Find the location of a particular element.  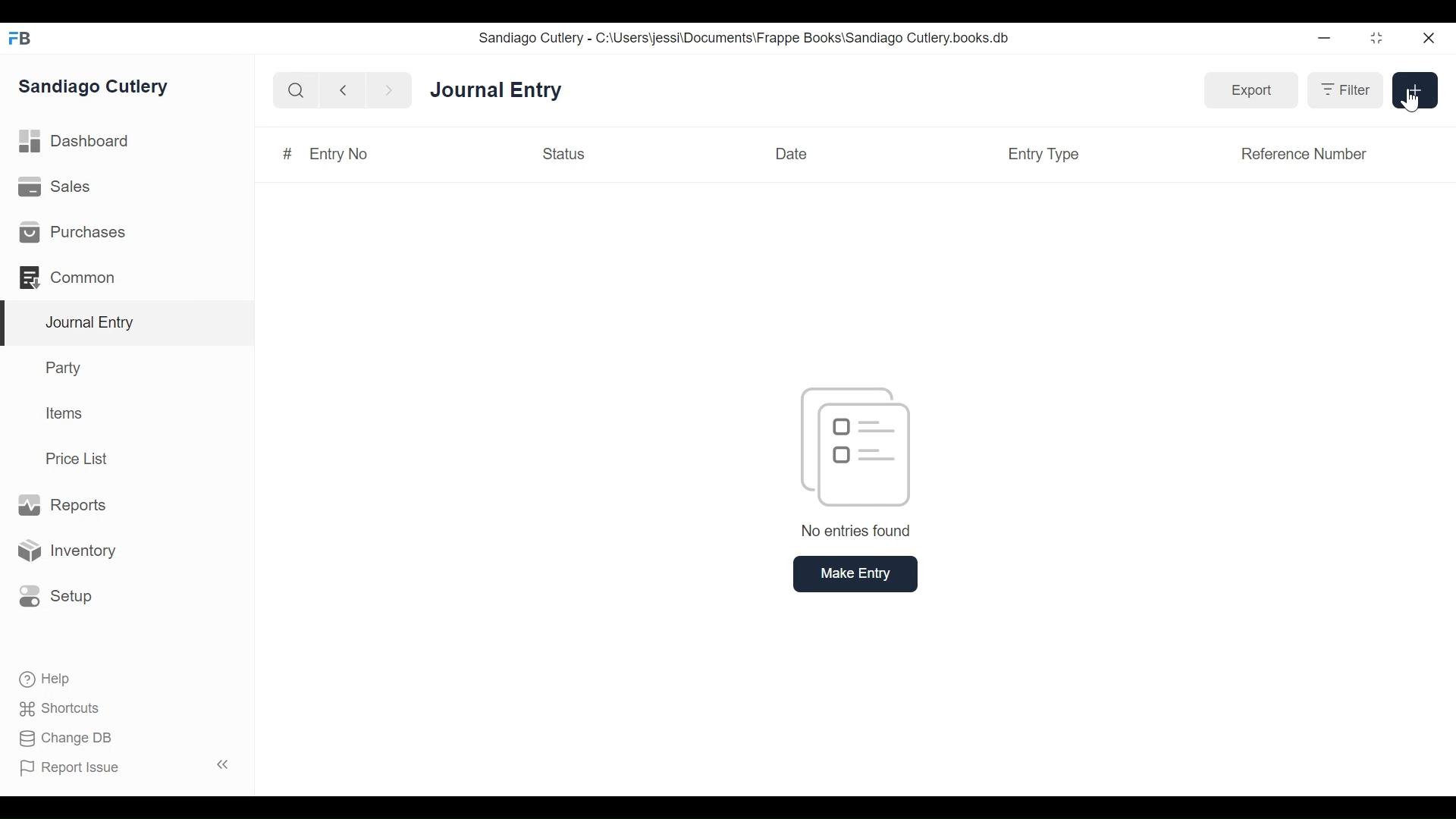

Inventory is located at coordinates (64, 551).